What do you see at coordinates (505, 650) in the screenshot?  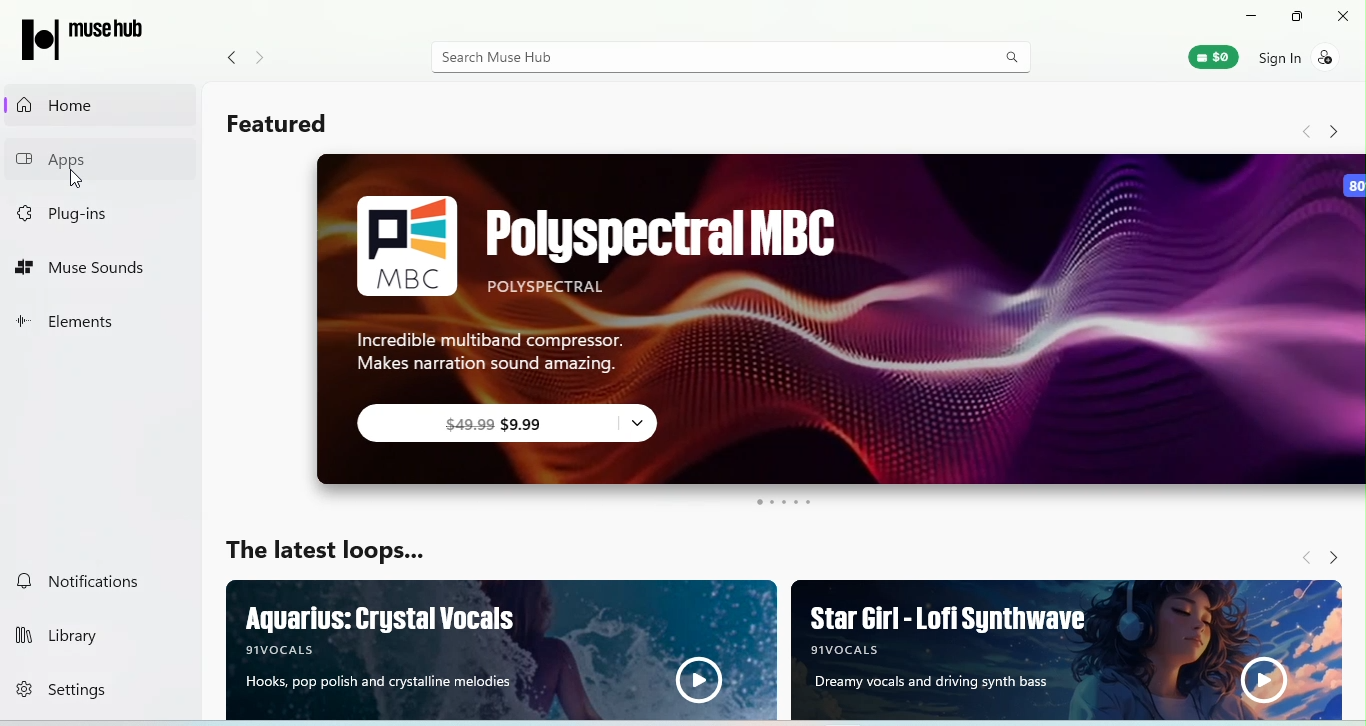 I see `Aquarius: Crystal Vocals :9vocALs Hooks, pop polish and crystalline melodies` at bounding box center [505, 650].